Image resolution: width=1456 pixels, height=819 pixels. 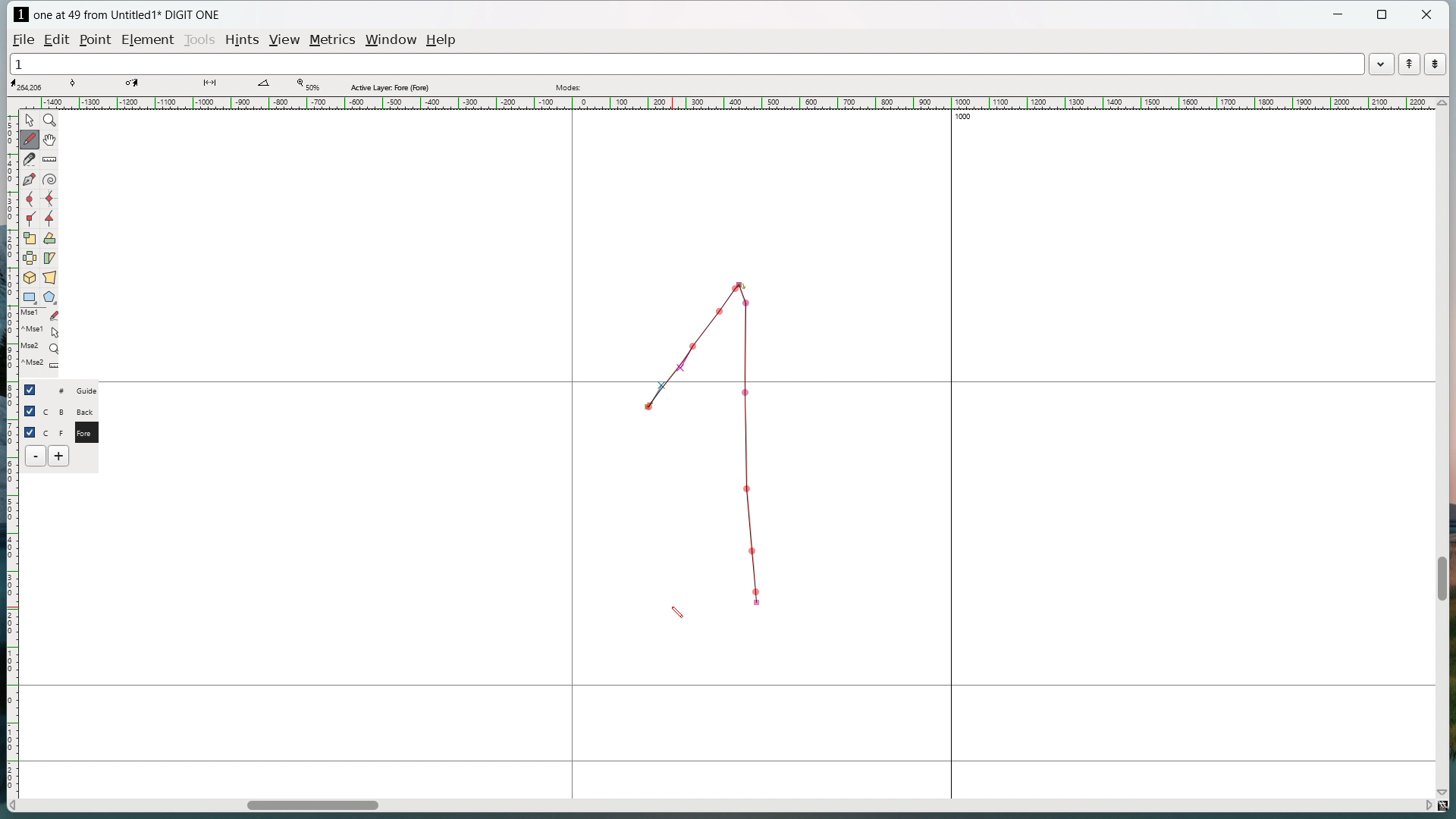 I want to click on close, so click(x=1426, y=14).